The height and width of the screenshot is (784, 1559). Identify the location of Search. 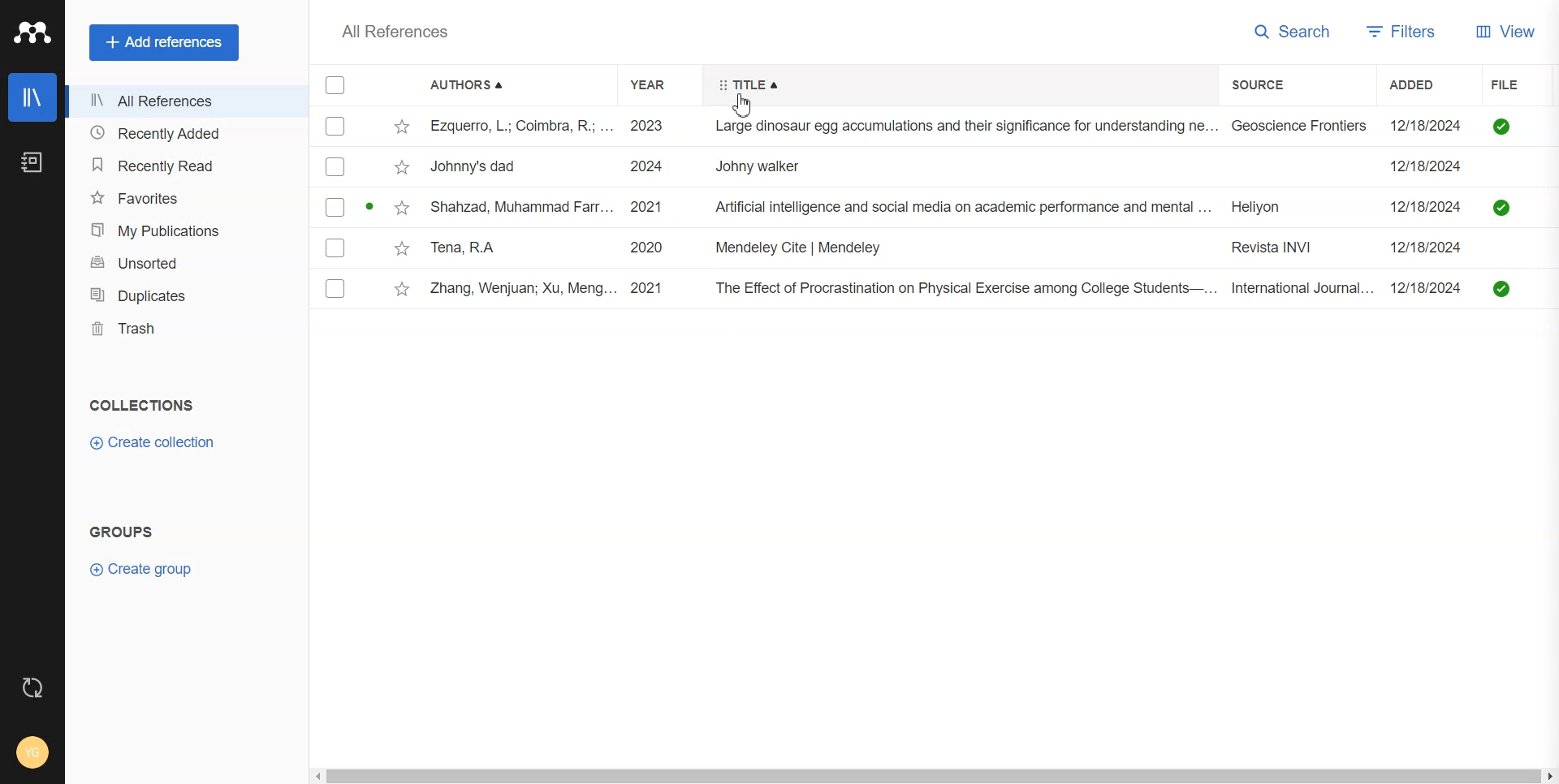
(1295, 30).